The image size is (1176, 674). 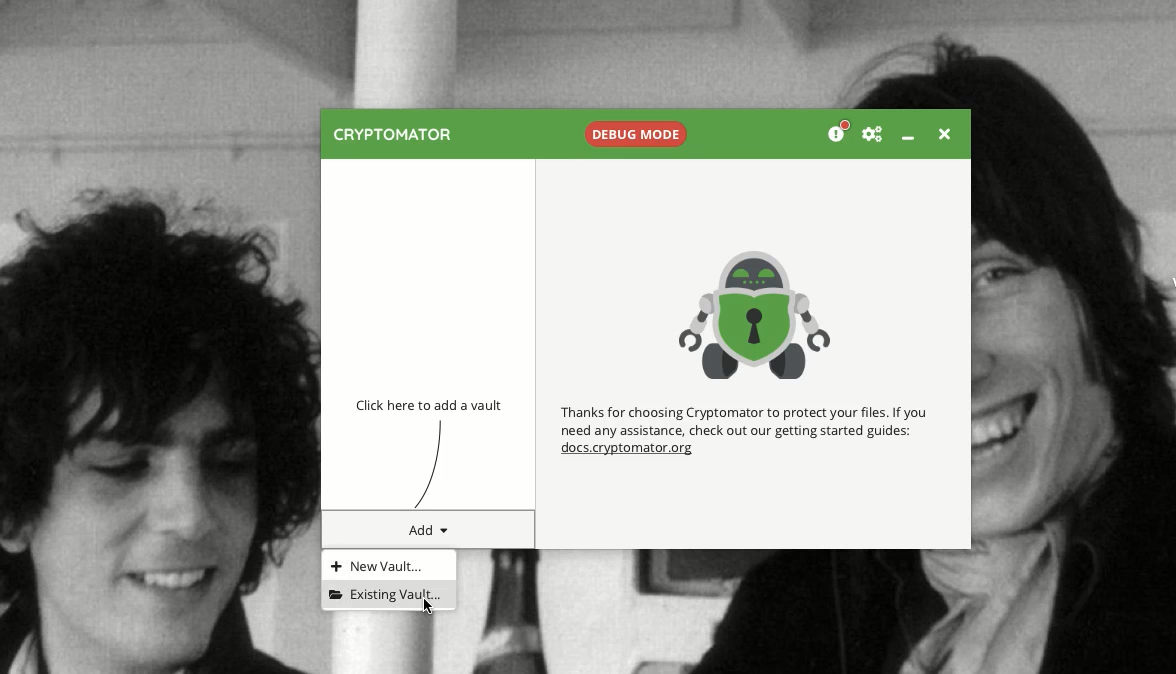 What do you see at coordinates (912, 140) in the screenshot?
I see `Minimize` at bounding box center [912, 140].